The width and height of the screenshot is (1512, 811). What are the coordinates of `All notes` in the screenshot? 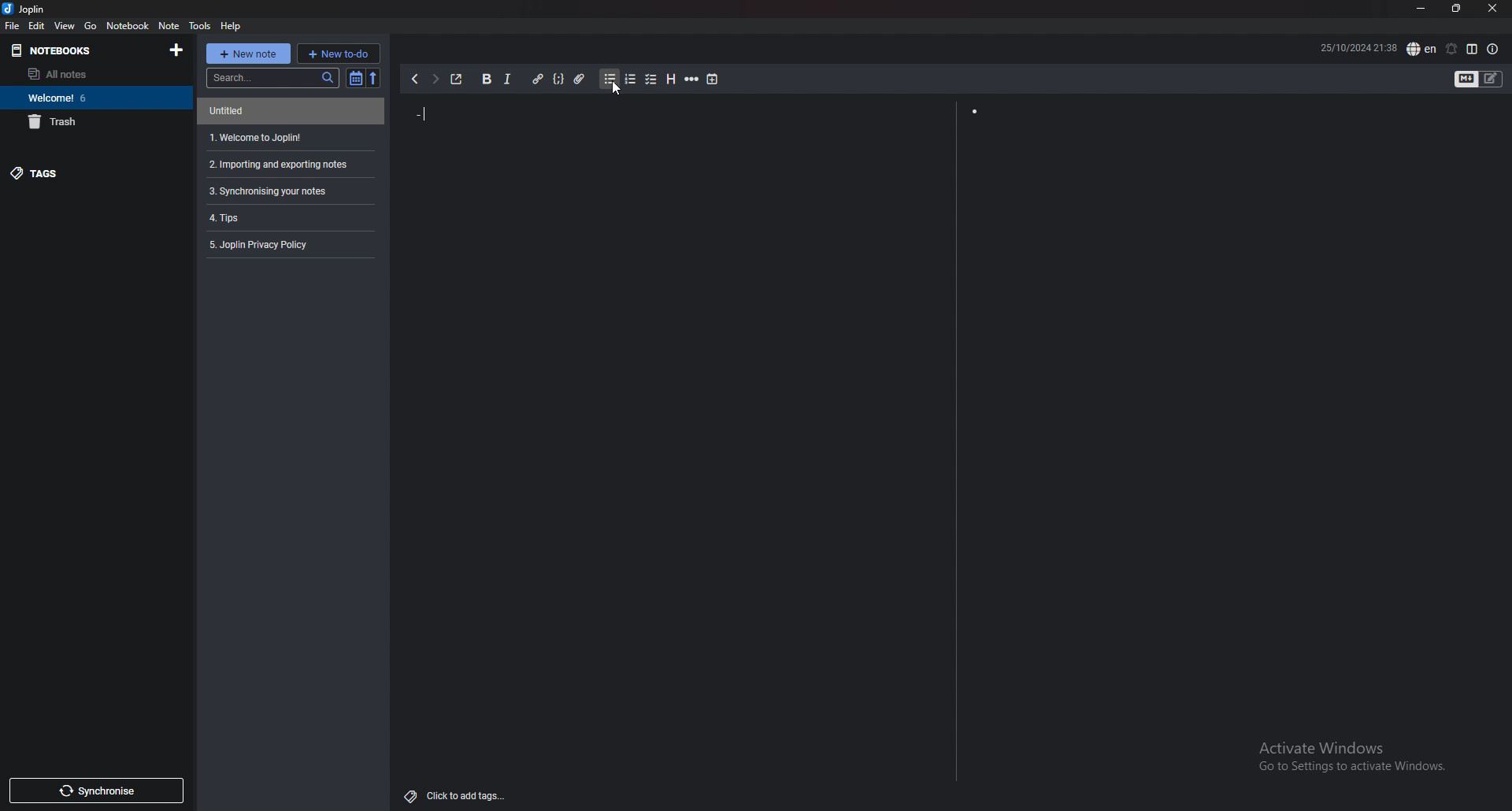 It's located at (57, 74).